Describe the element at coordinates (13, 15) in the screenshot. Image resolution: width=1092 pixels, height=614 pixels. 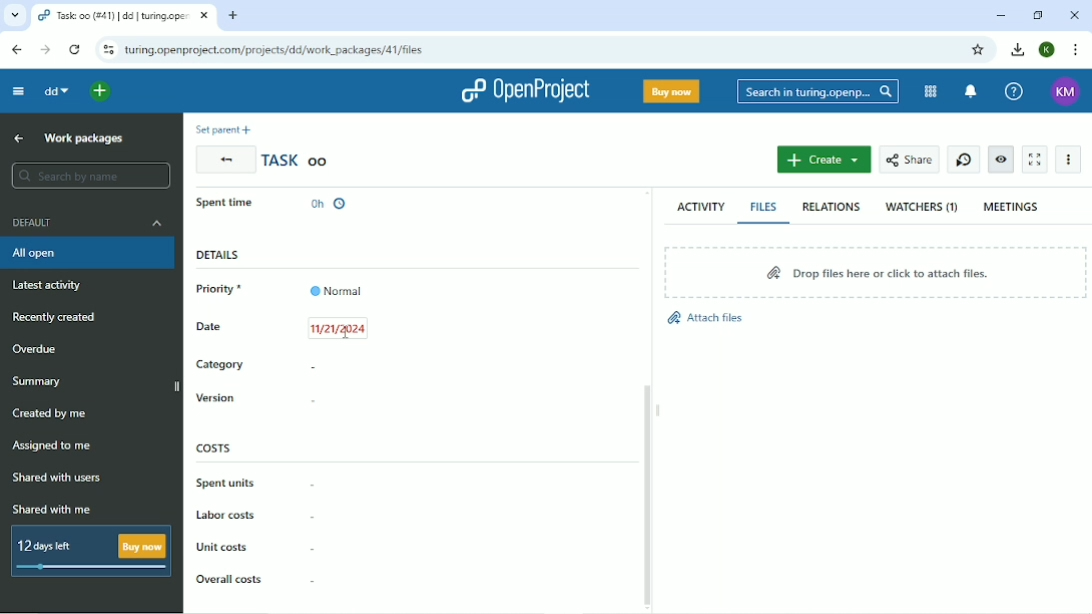
I see `Search tab` at that location.